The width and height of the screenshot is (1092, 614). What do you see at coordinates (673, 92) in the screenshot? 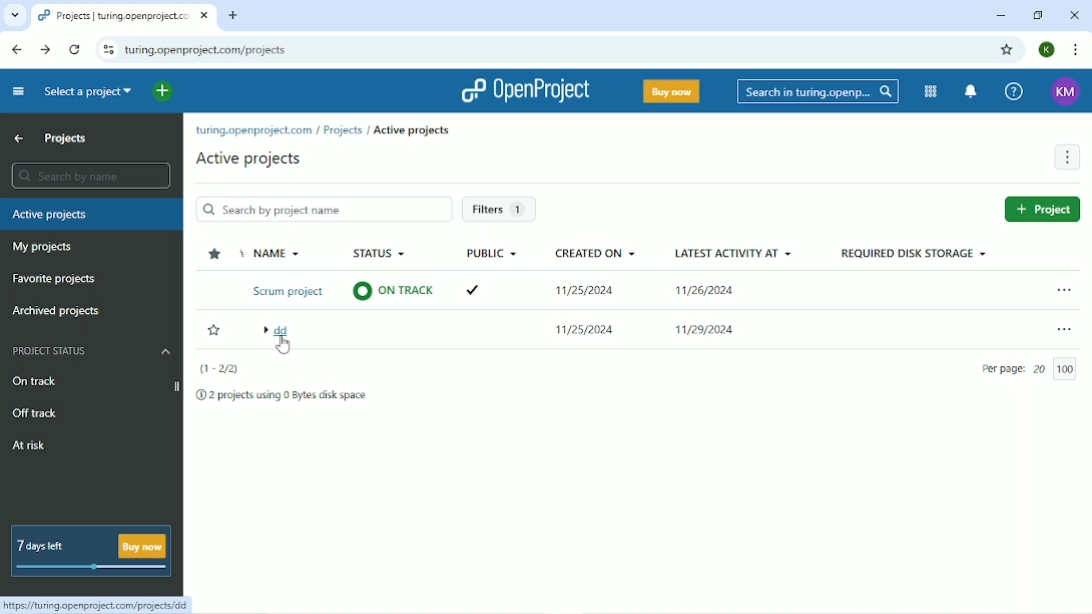
I see `Buy now` at bounding box center [673, 92].